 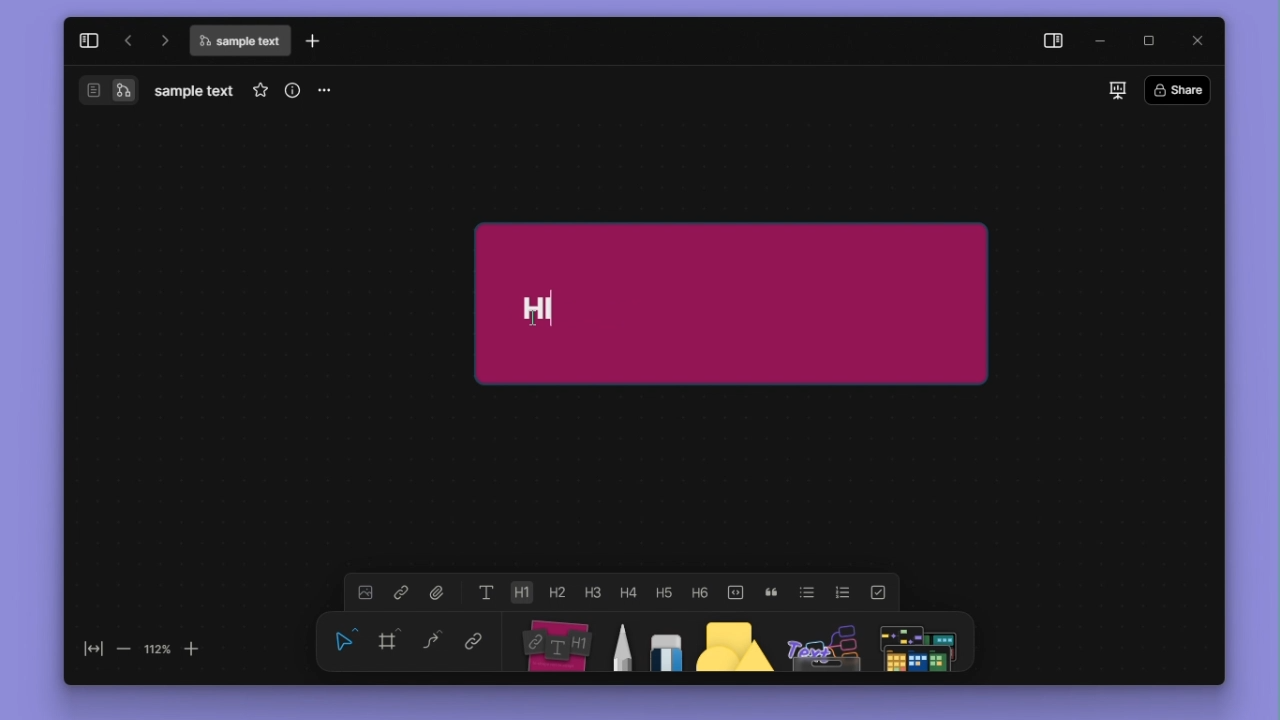 I want to click on minimize, so click(x=1102, y=42).